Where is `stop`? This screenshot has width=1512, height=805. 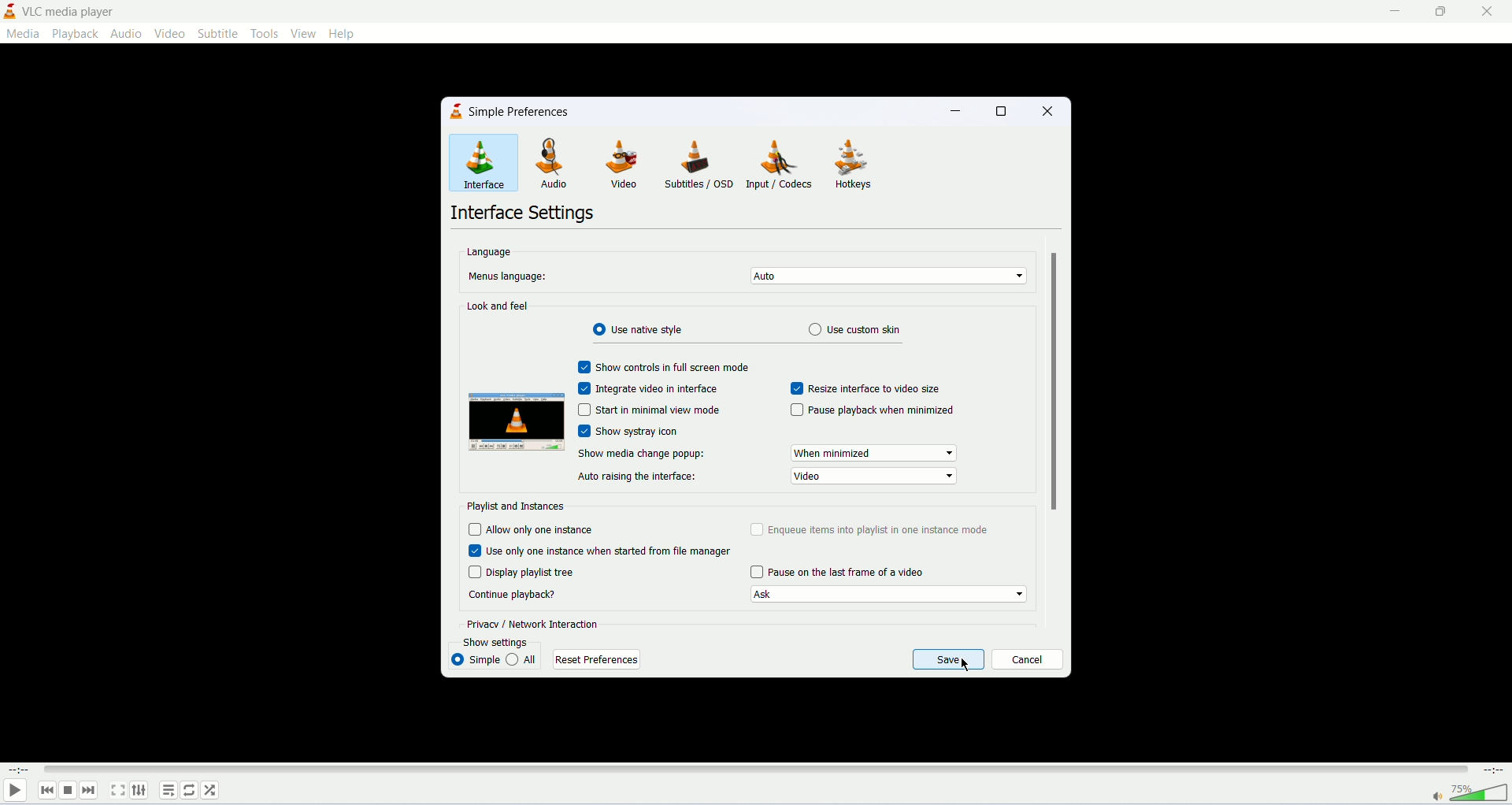
stop is located at coordinates (68, 792).